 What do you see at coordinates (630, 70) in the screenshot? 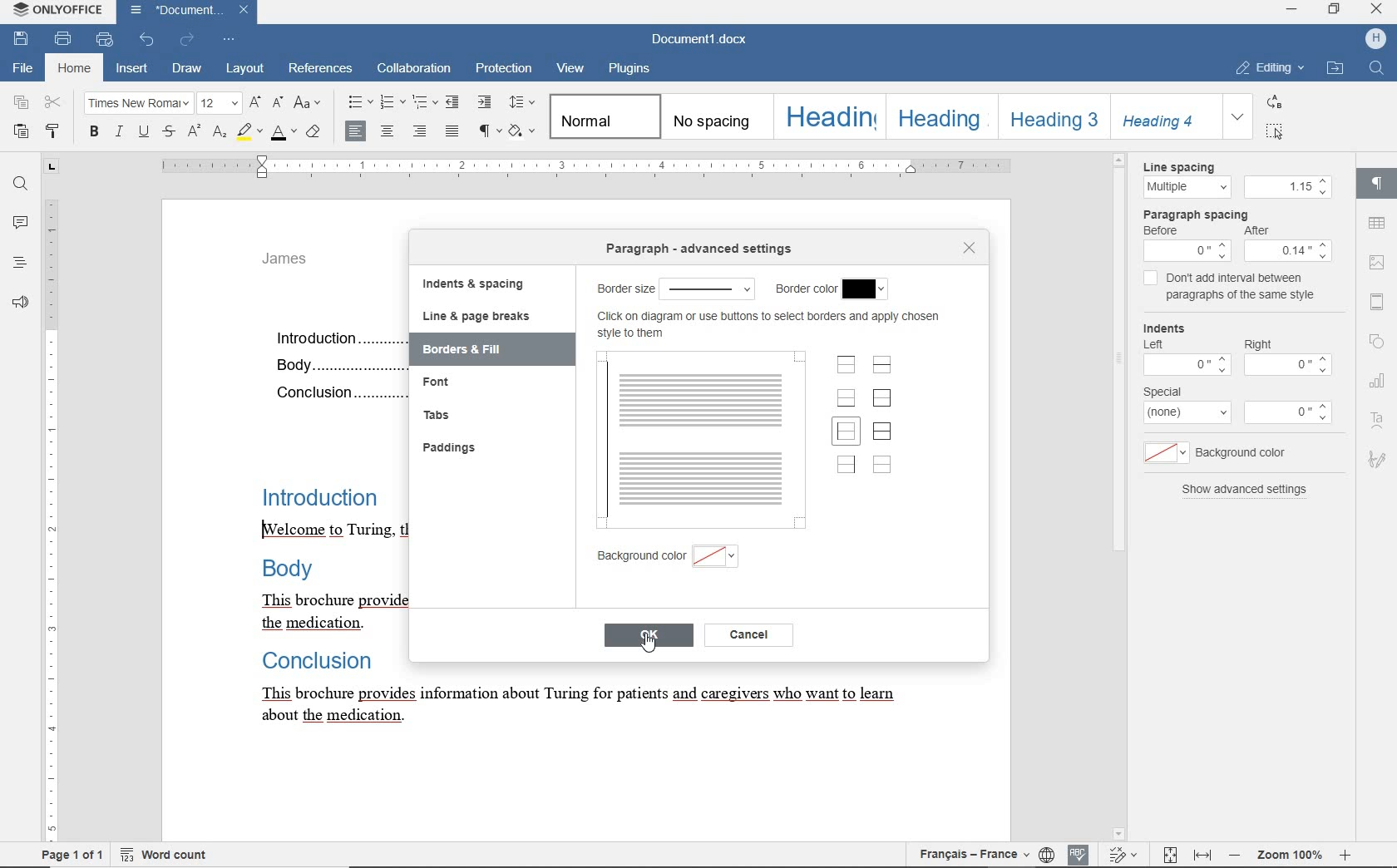
I see `plugins` at bounding box center [630, 70].